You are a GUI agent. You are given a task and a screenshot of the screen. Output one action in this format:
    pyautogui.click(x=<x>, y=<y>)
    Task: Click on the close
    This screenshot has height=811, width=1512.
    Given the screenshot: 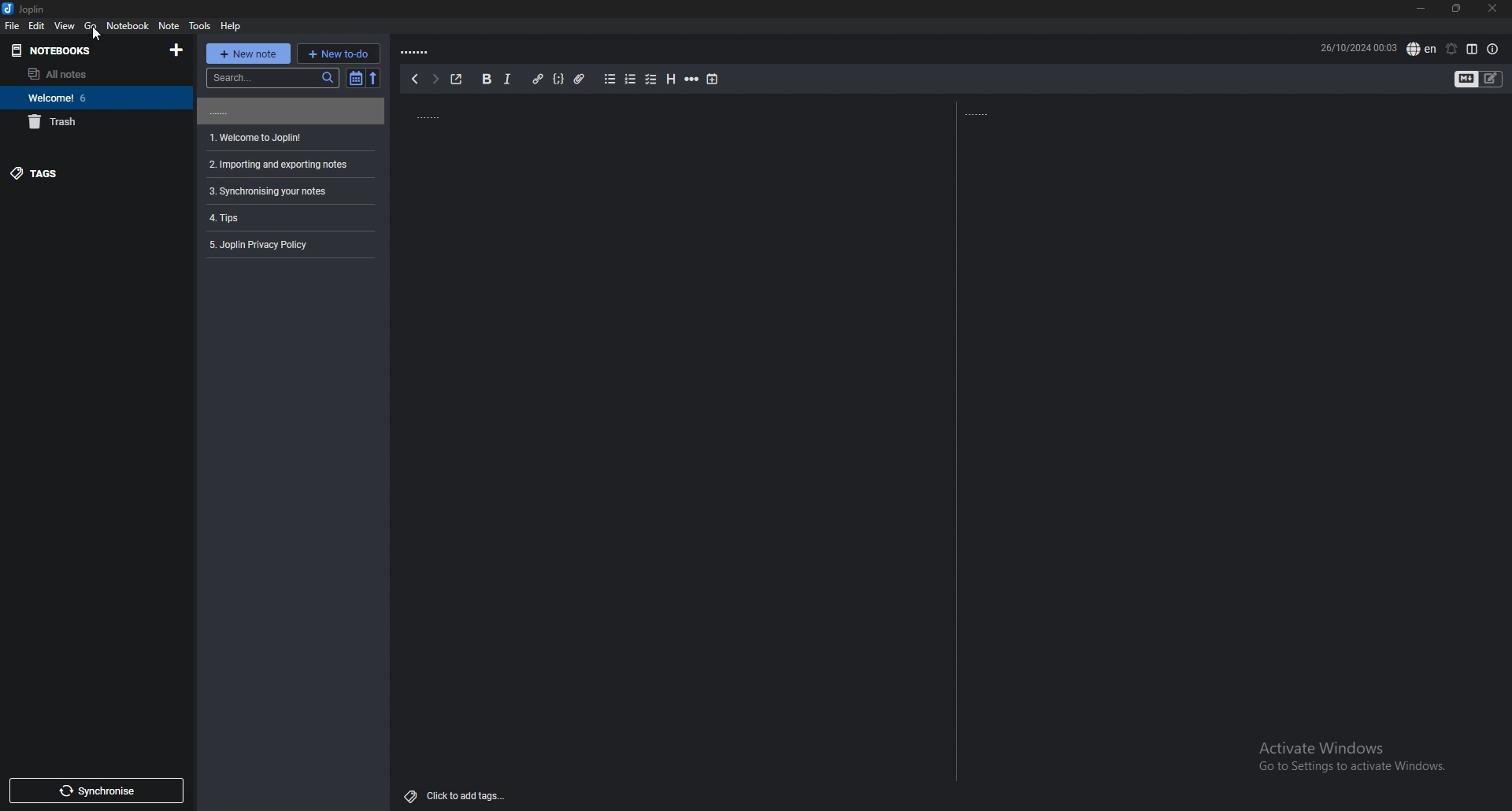 What is the action you would take?
    pyautogui.click(x=1494, y=8)
    